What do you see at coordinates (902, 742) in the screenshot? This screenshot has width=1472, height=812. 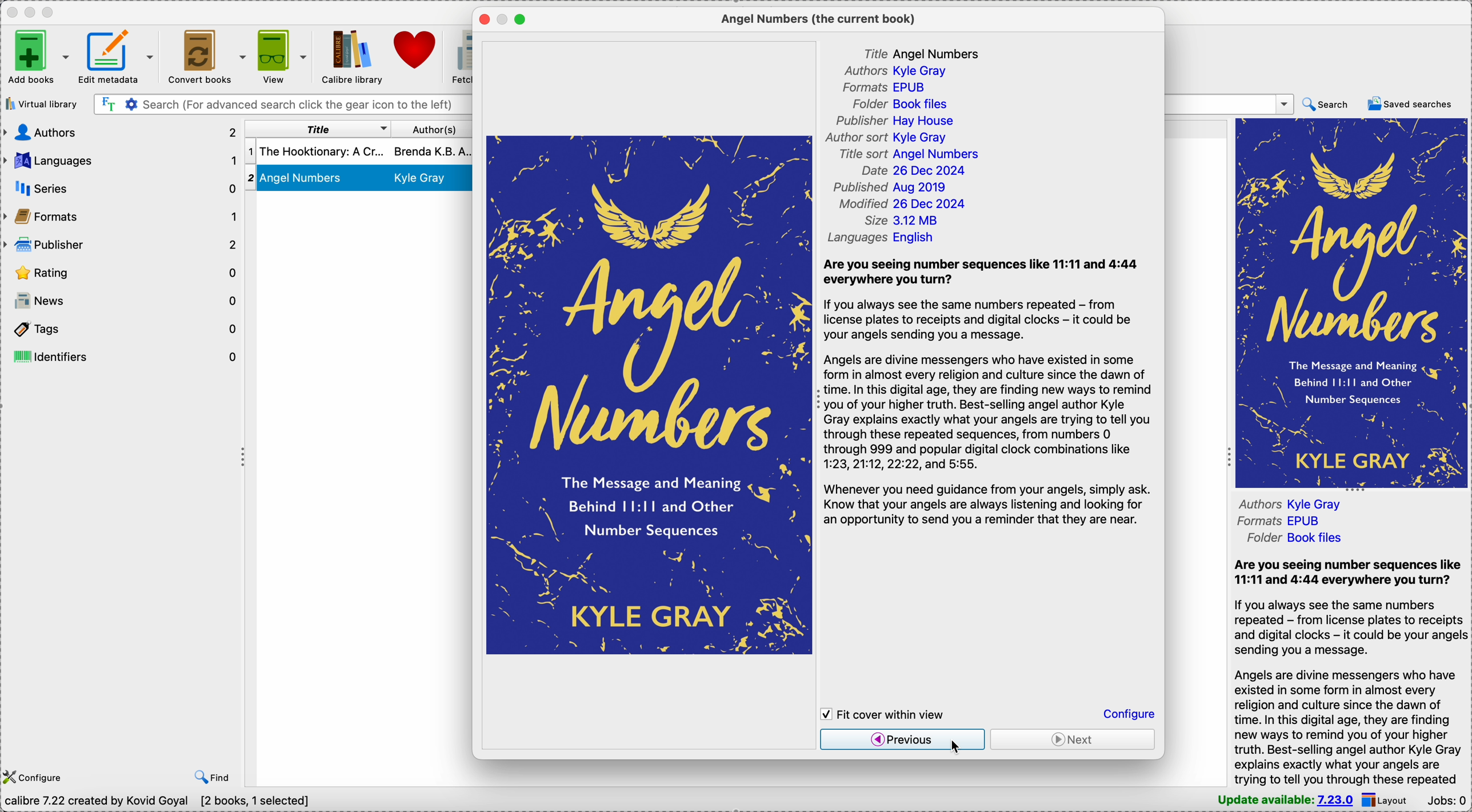 I see `click on previous` at bounding box center [902, 742].